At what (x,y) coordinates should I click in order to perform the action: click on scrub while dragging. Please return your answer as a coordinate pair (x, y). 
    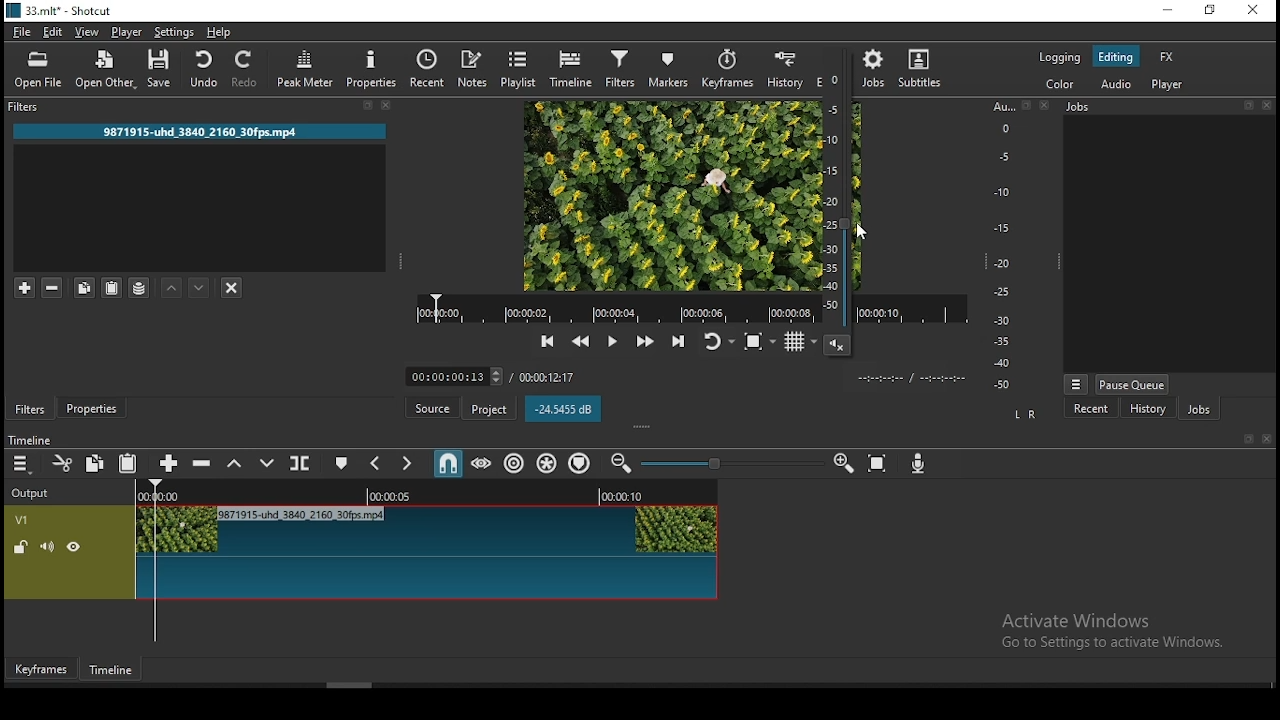
    Looking at the image, I should click on (482, 464).